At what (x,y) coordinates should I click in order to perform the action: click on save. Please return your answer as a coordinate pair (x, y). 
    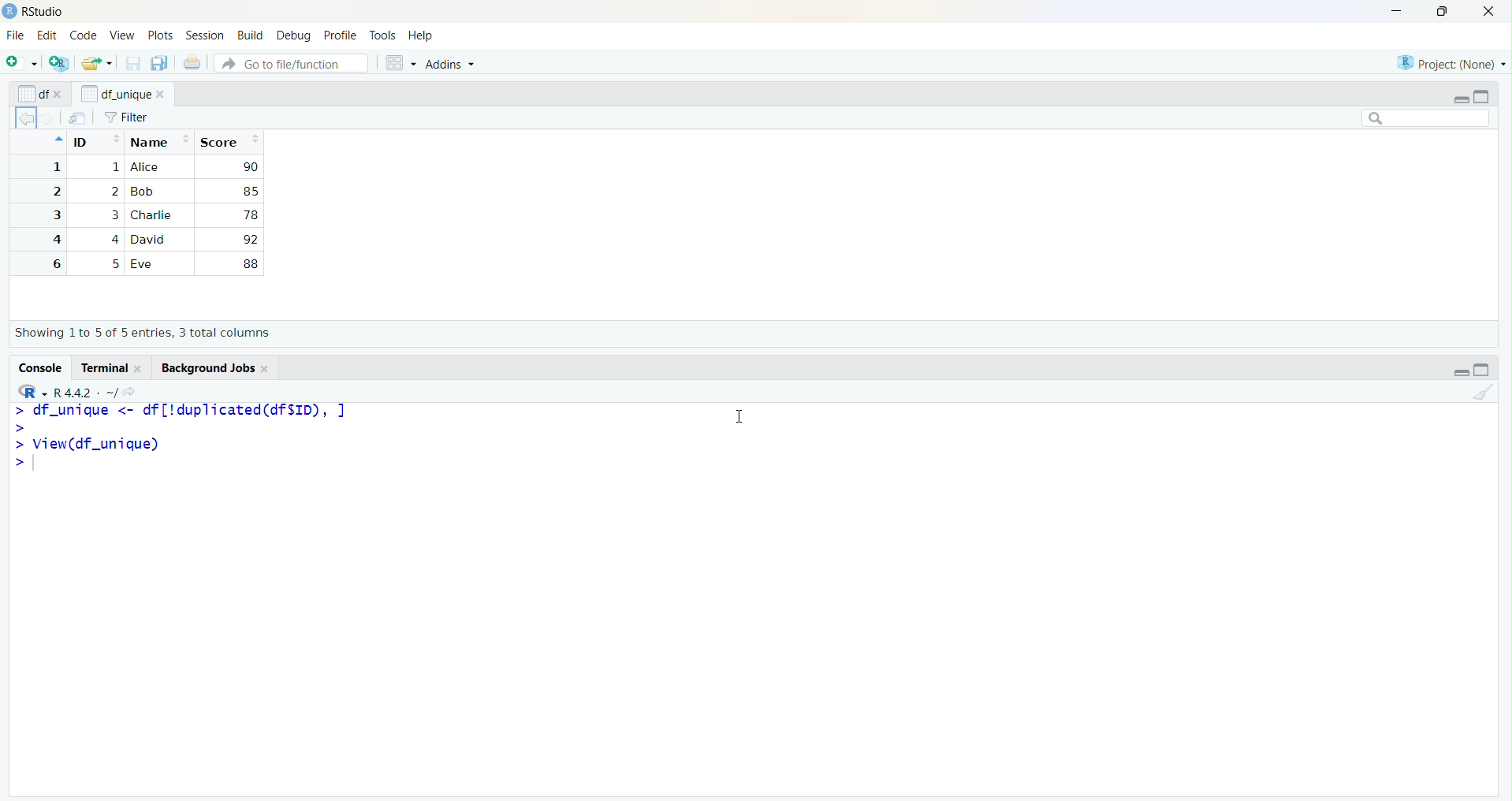
    Looking at the image, I should click on (132, 64).